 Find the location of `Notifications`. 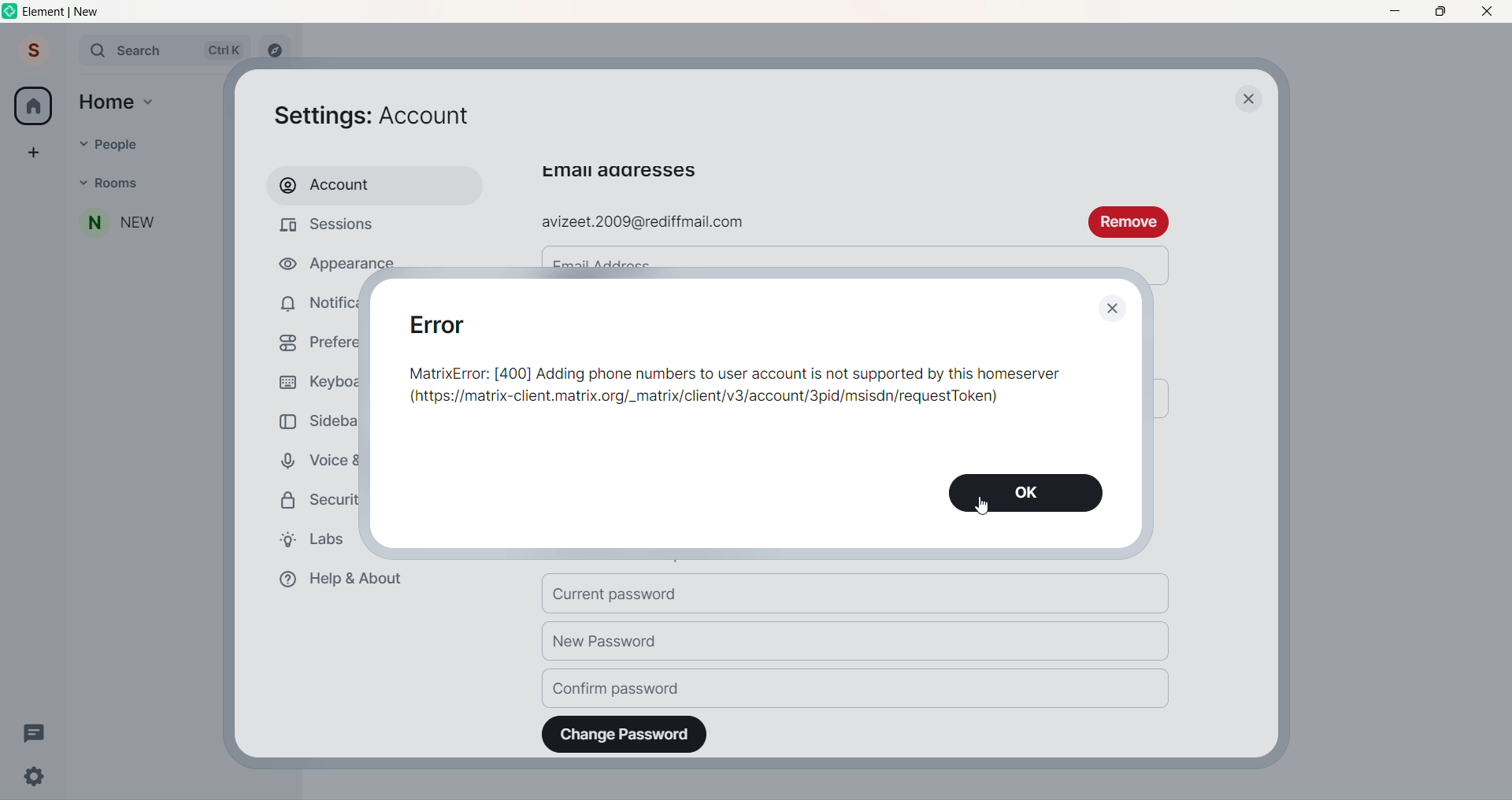

Notifications is located at coordinates (307, 302).